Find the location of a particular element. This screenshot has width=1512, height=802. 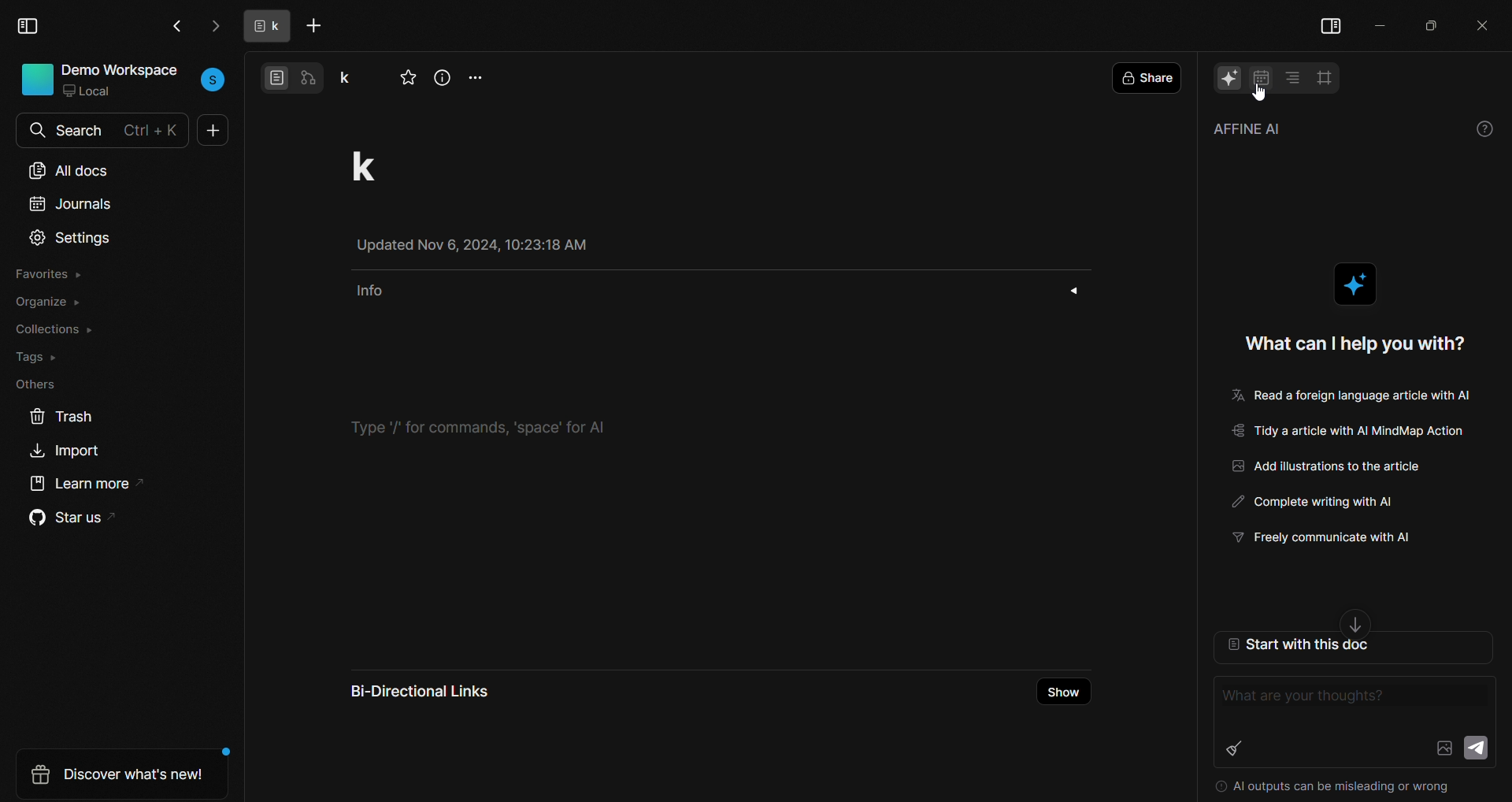

calendar is located at coordinates (1263, 76).